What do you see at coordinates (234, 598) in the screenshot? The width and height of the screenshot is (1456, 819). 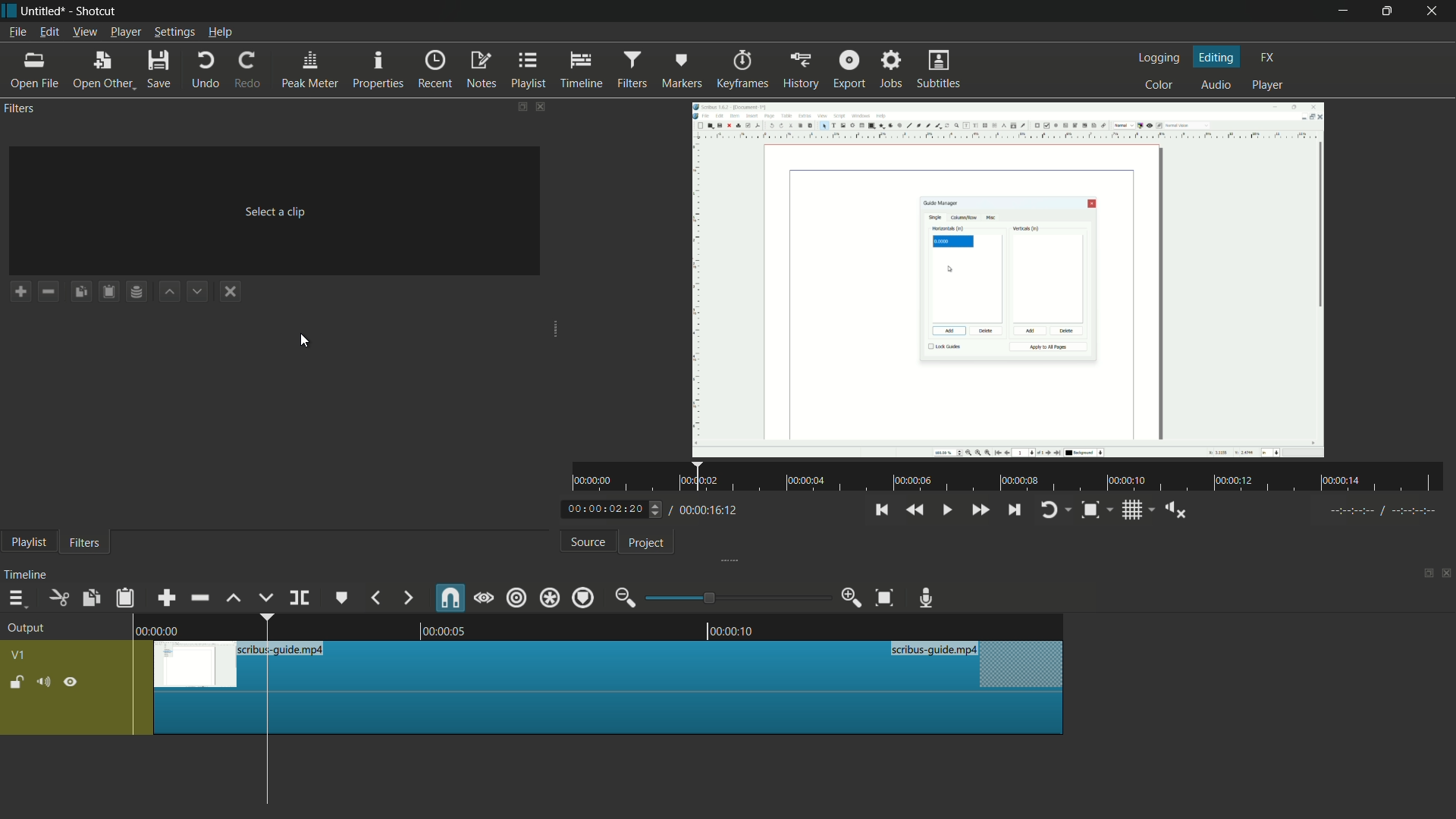 I see `lift` at bounding box center [234, 598].